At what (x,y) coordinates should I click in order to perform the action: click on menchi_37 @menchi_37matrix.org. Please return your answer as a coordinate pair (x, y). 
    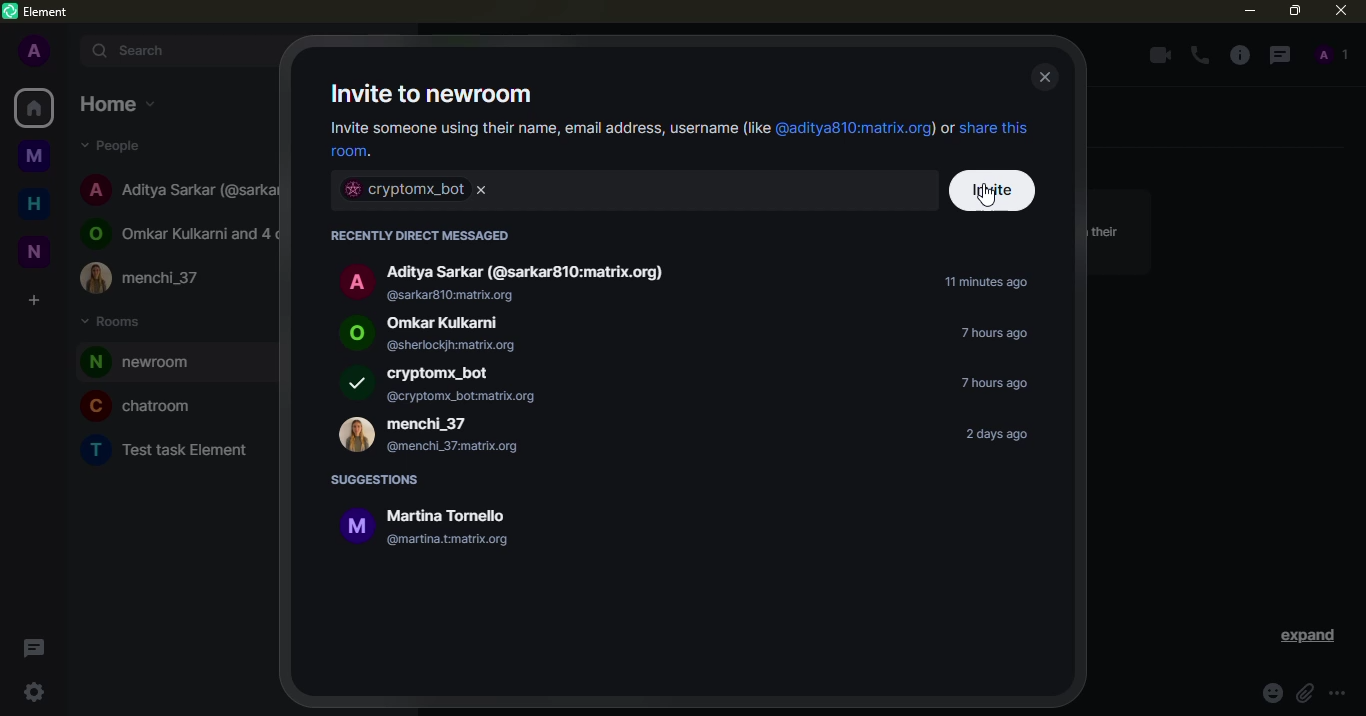
    Looking at the image, I should click on (430, 438).